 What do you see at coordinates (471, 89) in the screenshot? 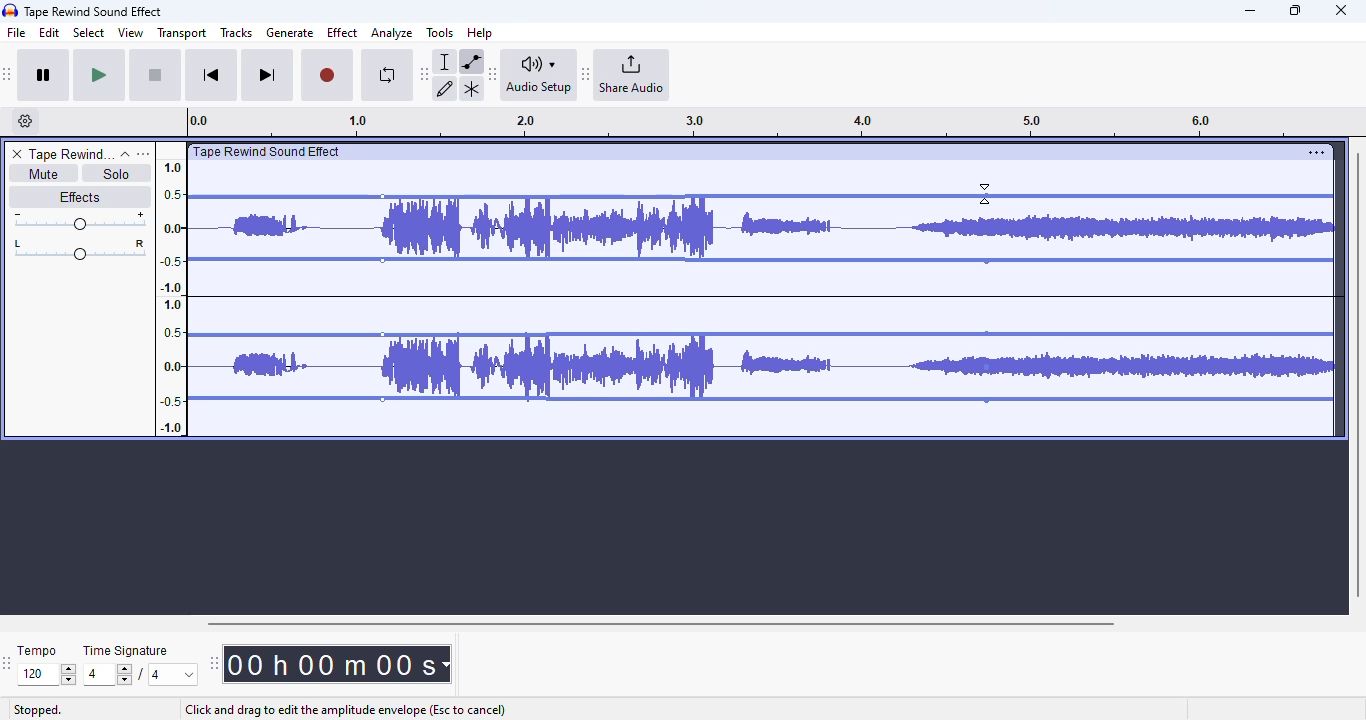
I see `multi-tool` at bounding box center [471, 89].